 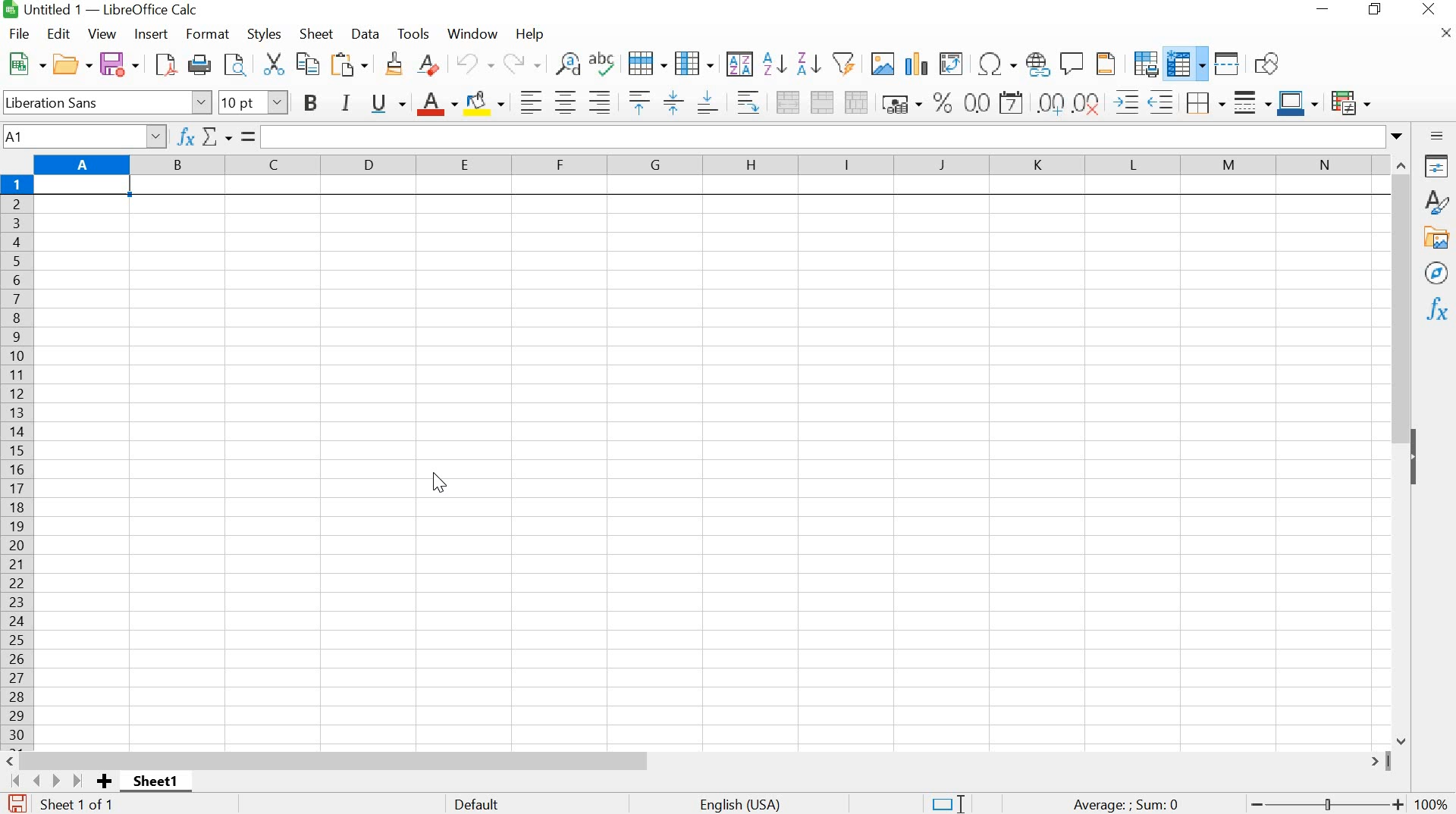 I want to click on IMAGE, so click(x=882, y=63).